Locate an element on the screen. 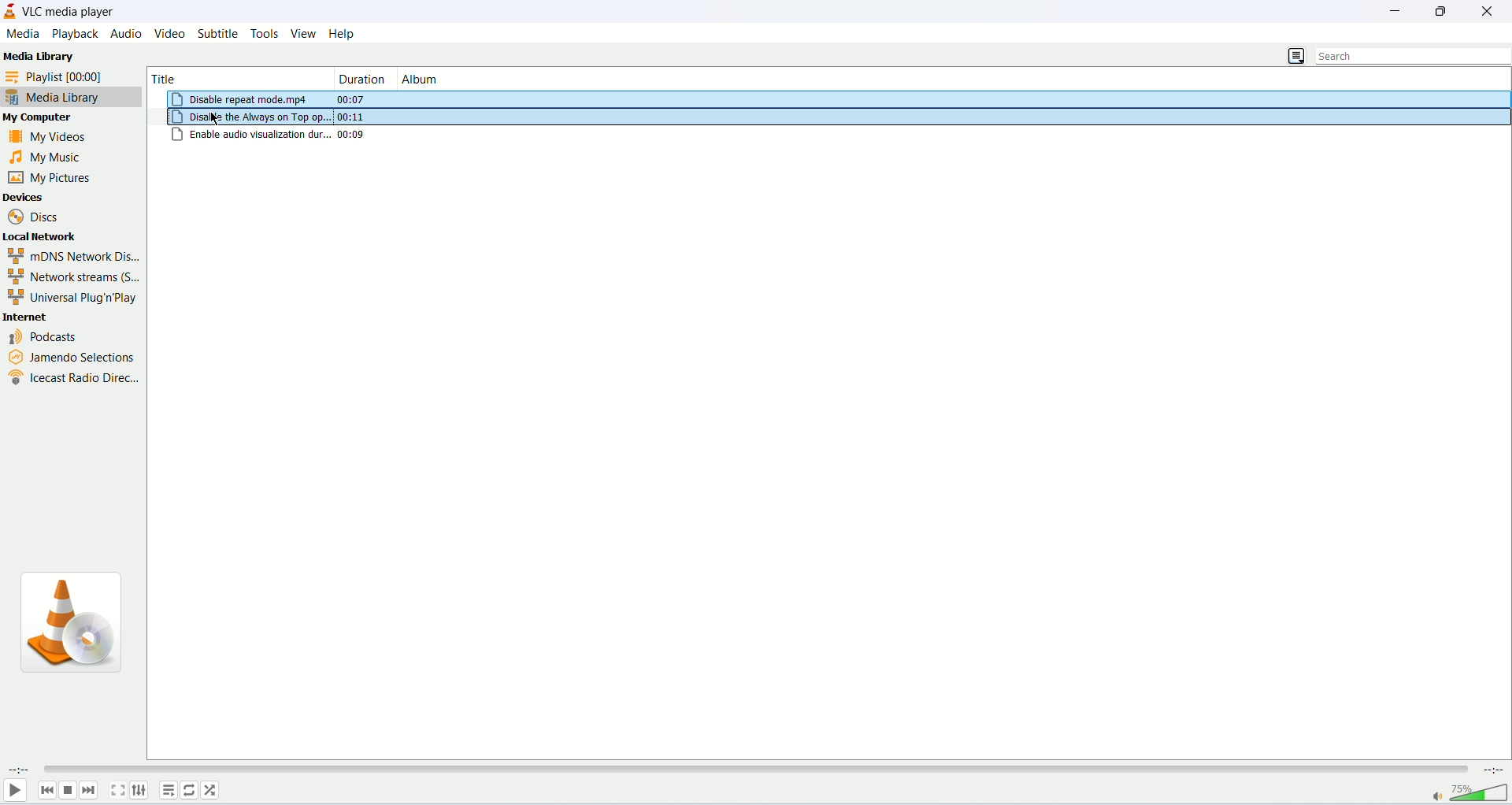  VLC icon is located at coordinates (80, 627).